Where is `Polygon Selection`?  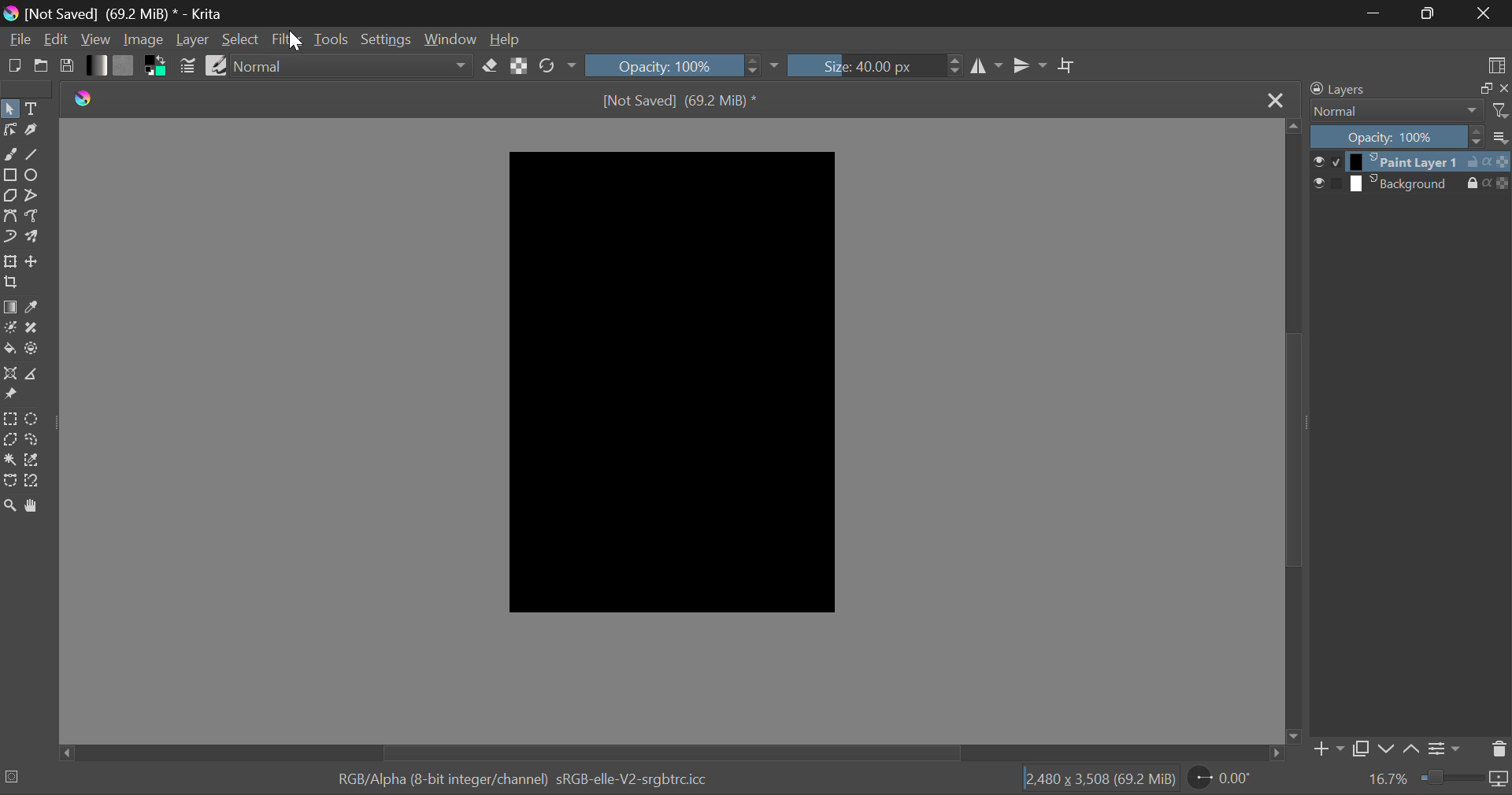
Polygon Selection is located at coordinates (9, 440).